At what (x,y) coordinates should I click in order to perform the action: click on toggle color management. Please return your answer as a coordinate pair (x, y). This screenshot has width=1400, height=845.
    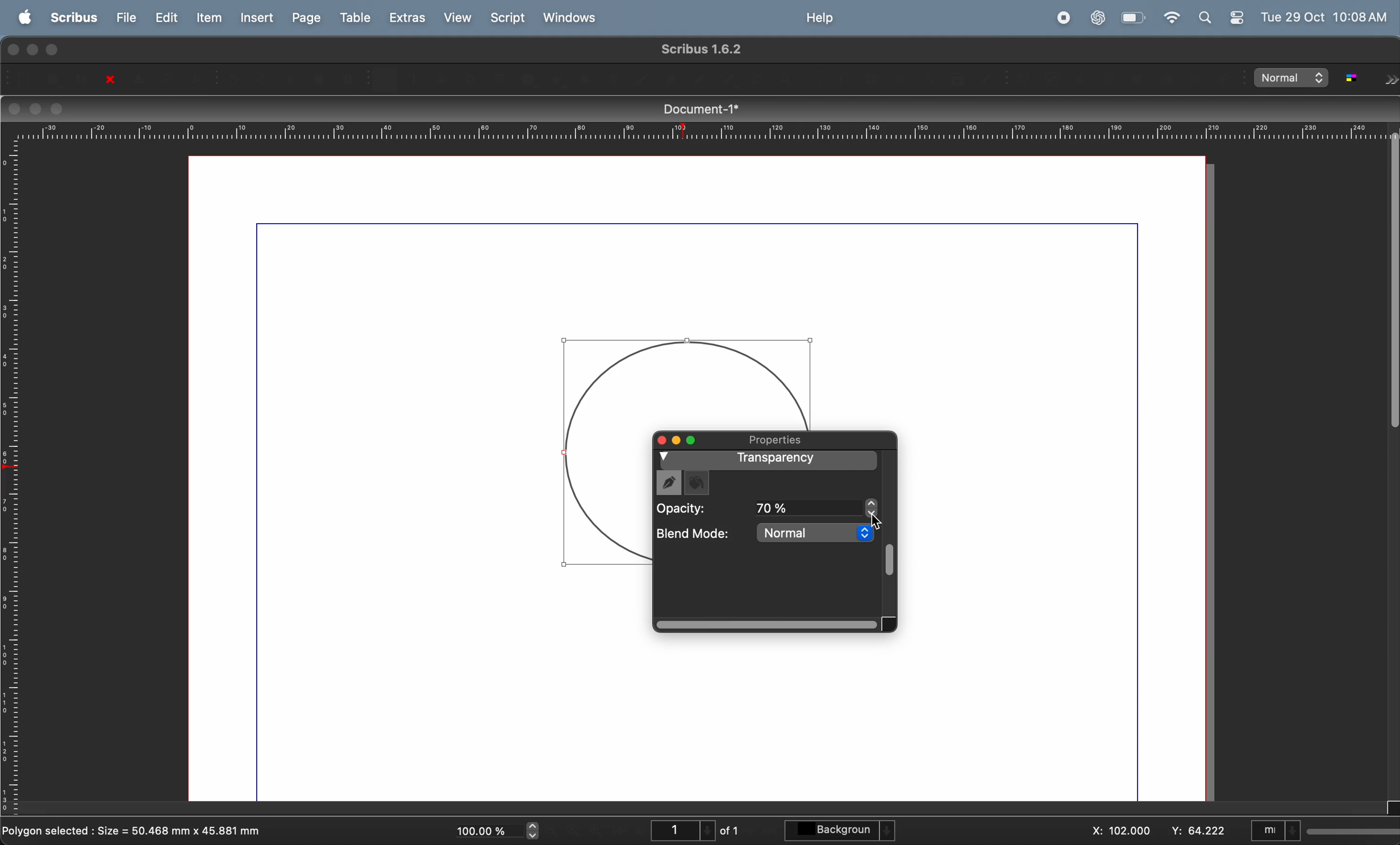
    Looking at the image, I should click on (1357, 78).